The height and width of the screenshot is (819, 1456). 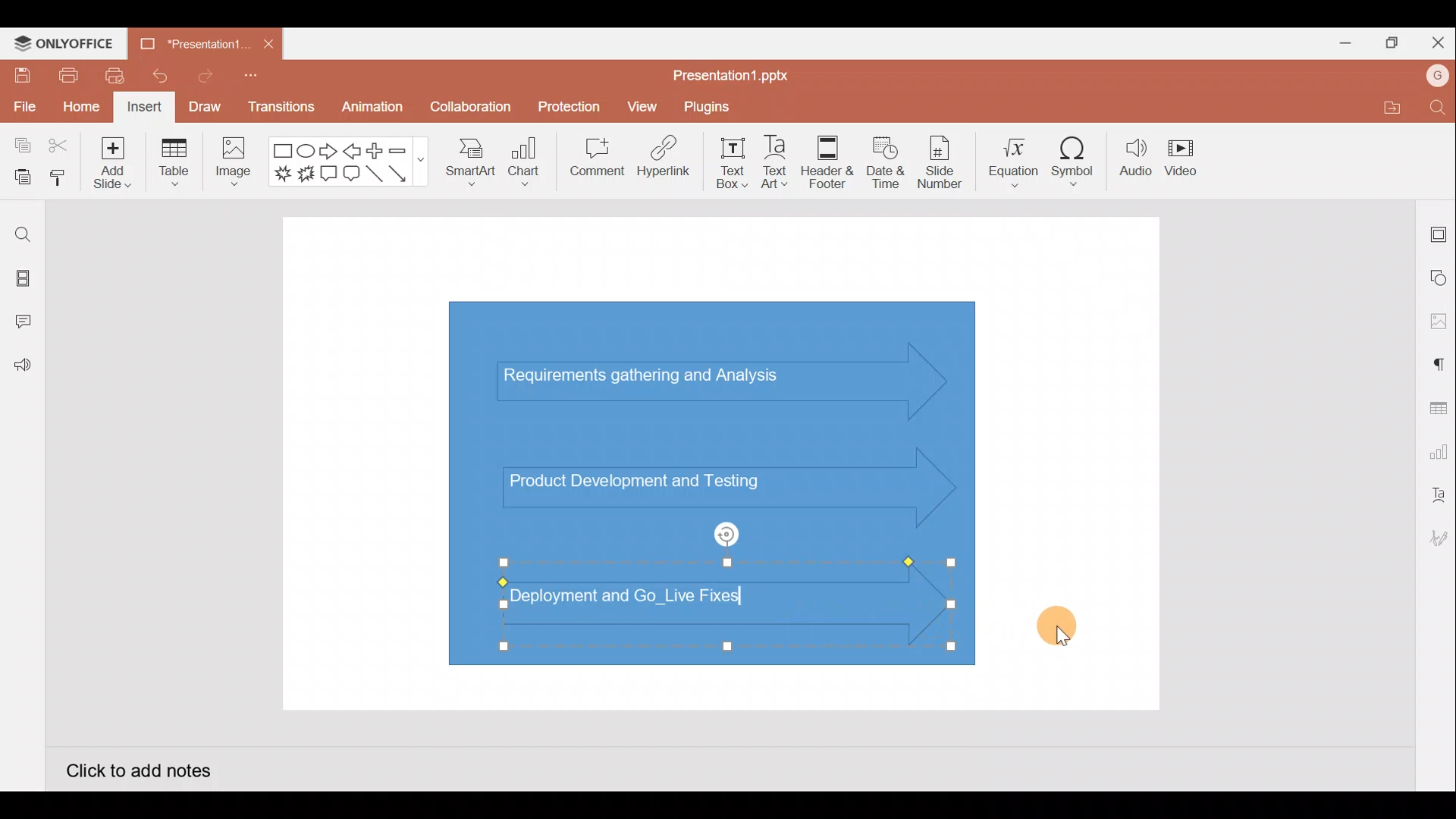 What do you see at coordinates (1435, 406) in the screenshot?
I see `Table settings` at bounding box center [1435, 406].